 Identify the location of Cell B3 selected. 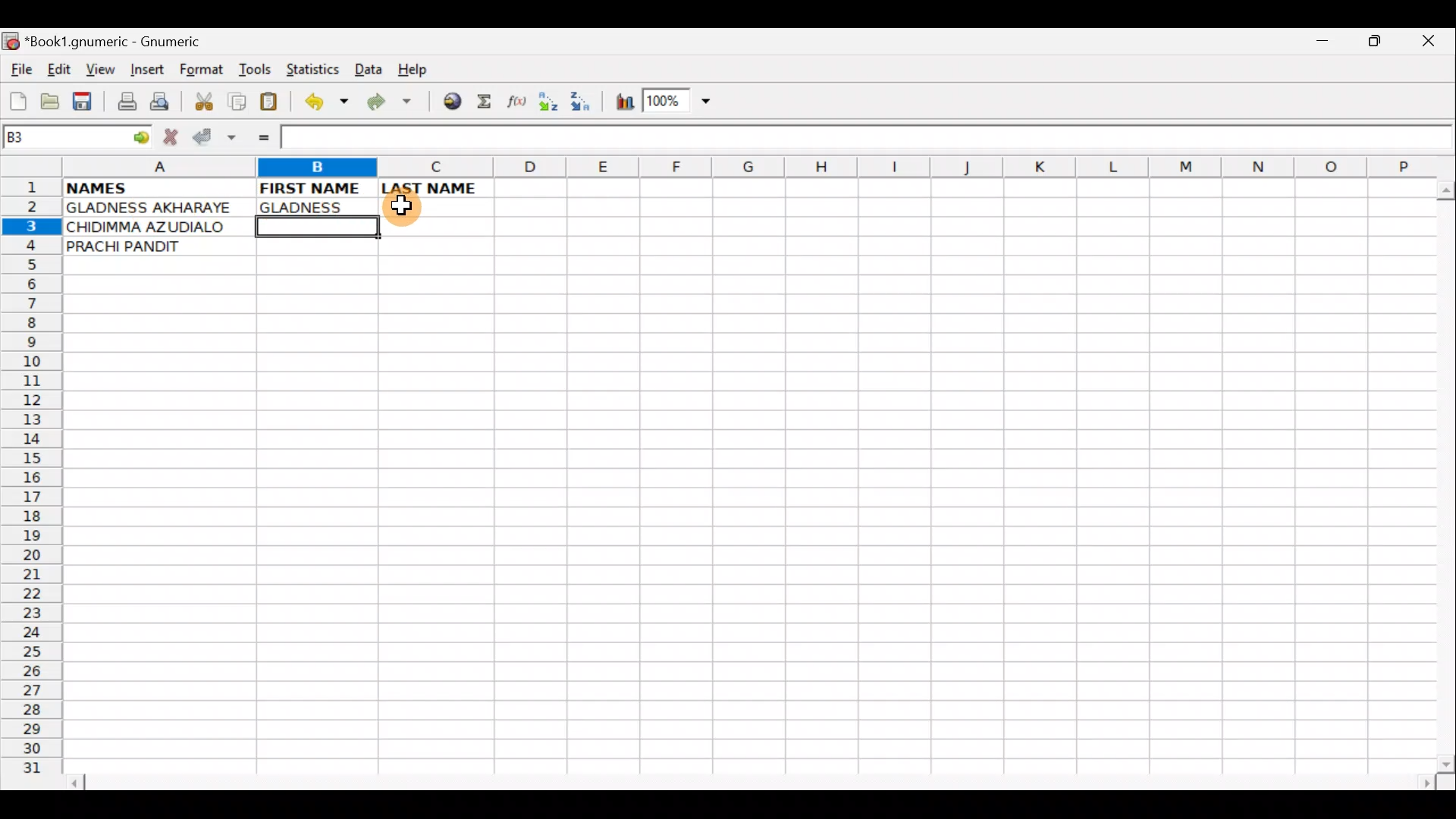
(315, 227).